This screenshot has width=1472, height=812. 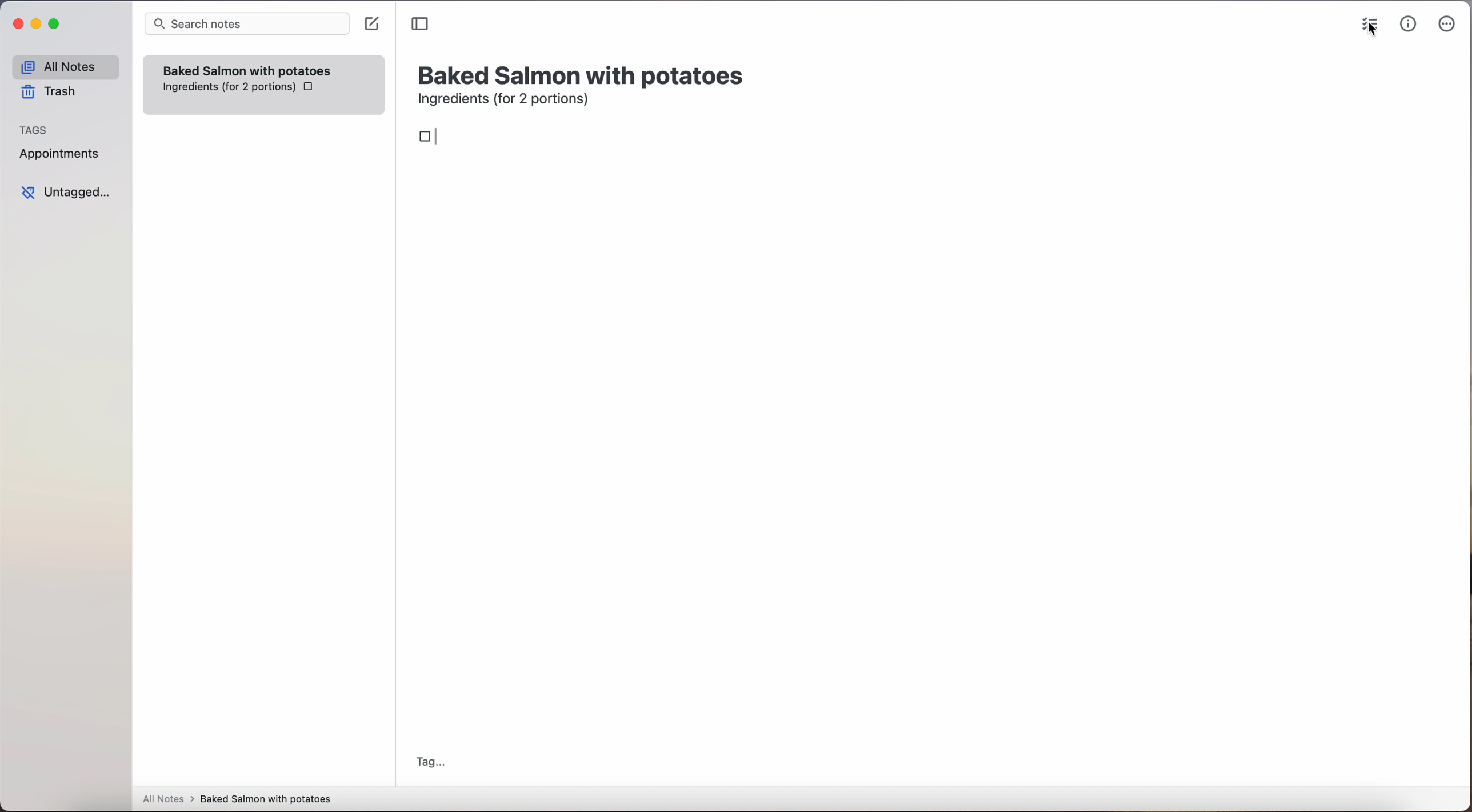 What do you see at coordinates (430, 763) in the screenshot?
I see `tag` at bounding box center [430, 763].